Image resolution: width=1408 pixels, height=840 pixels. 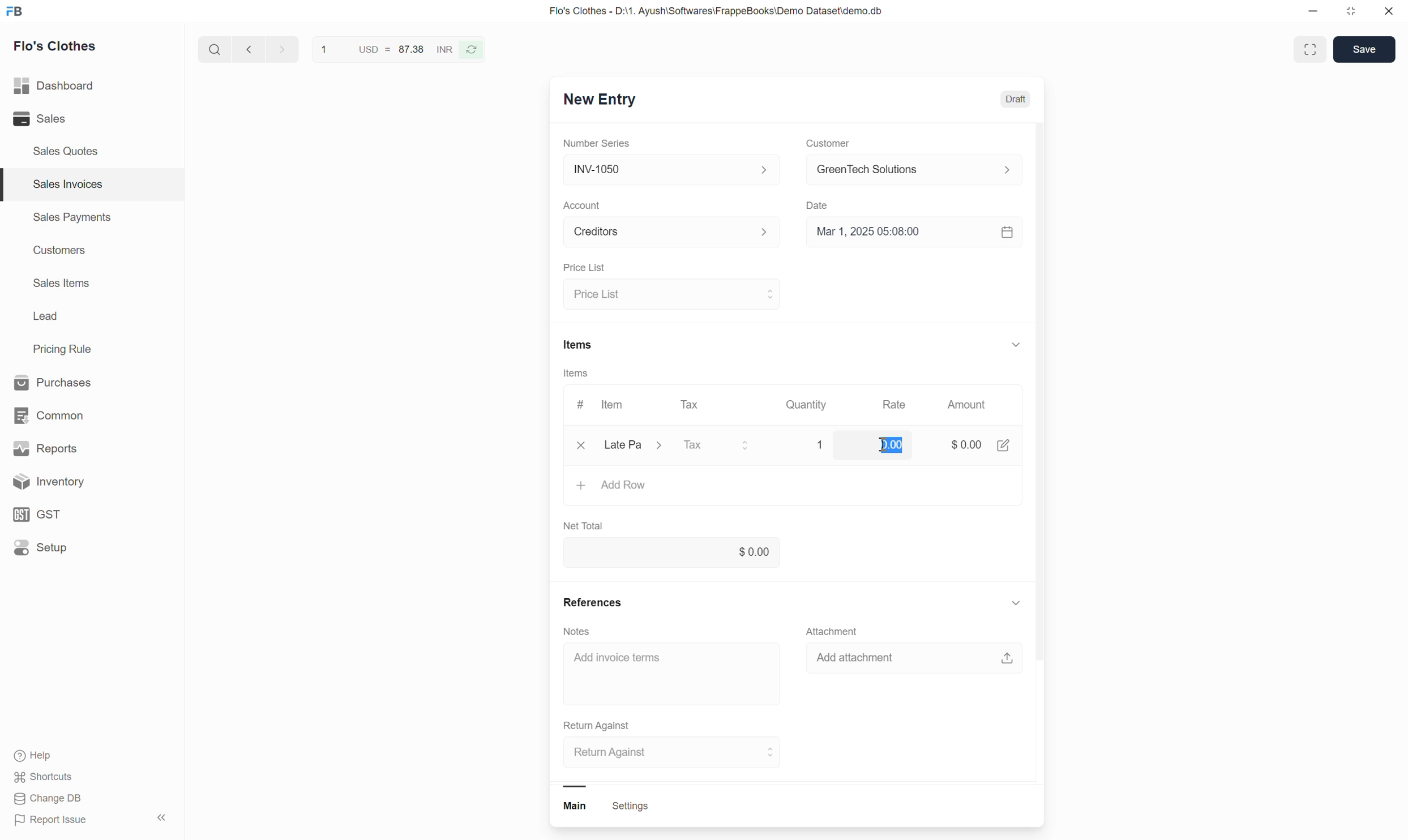 What do you see at coordinates (279, 52) in the screenshot?
I see `go forward ` at bounding box center [279, 52].